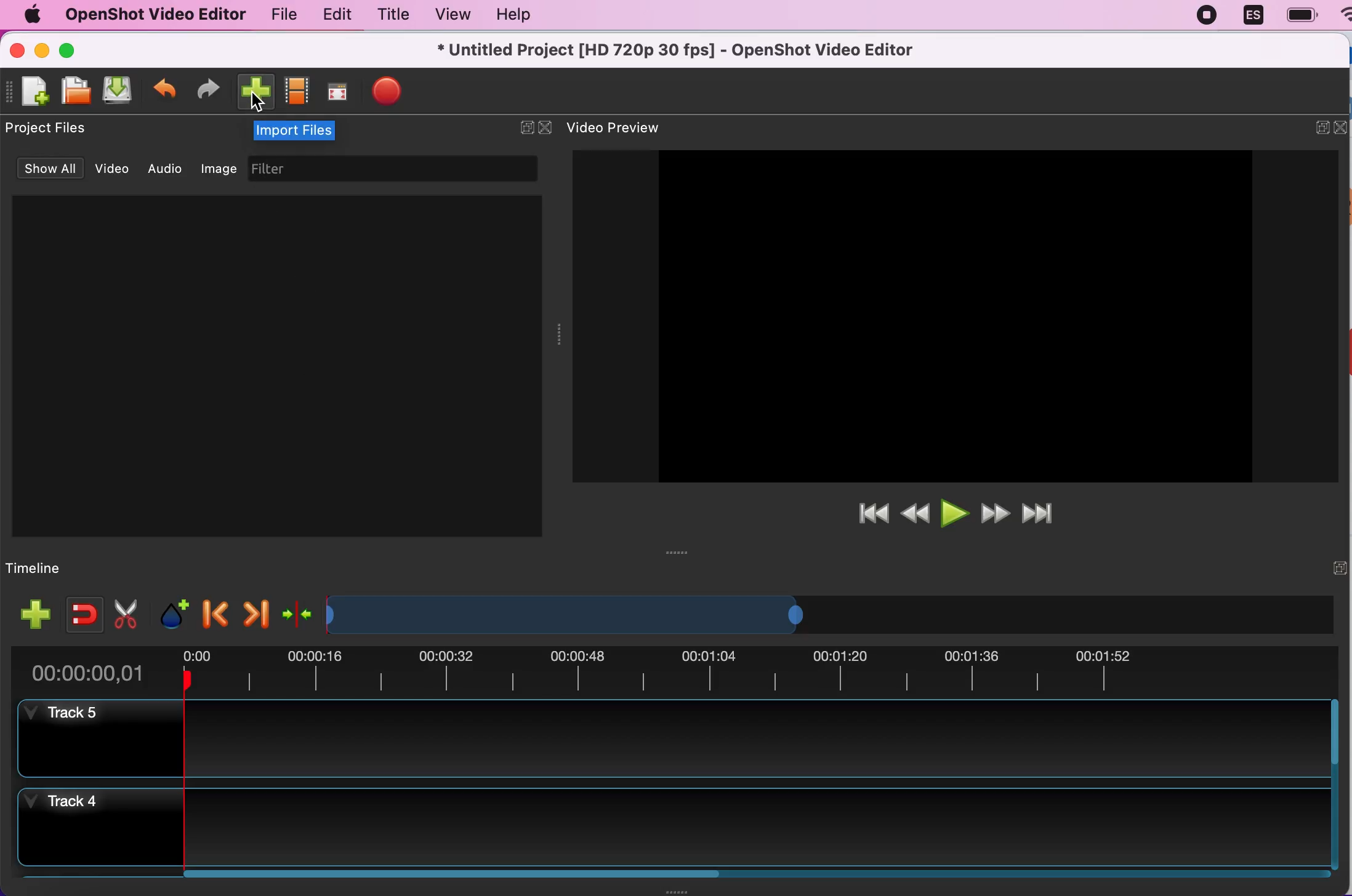 The image size is (1352, 896). Describe the element at coordinates (28, 17) in the screenshot. I see `mac logo` at that location.